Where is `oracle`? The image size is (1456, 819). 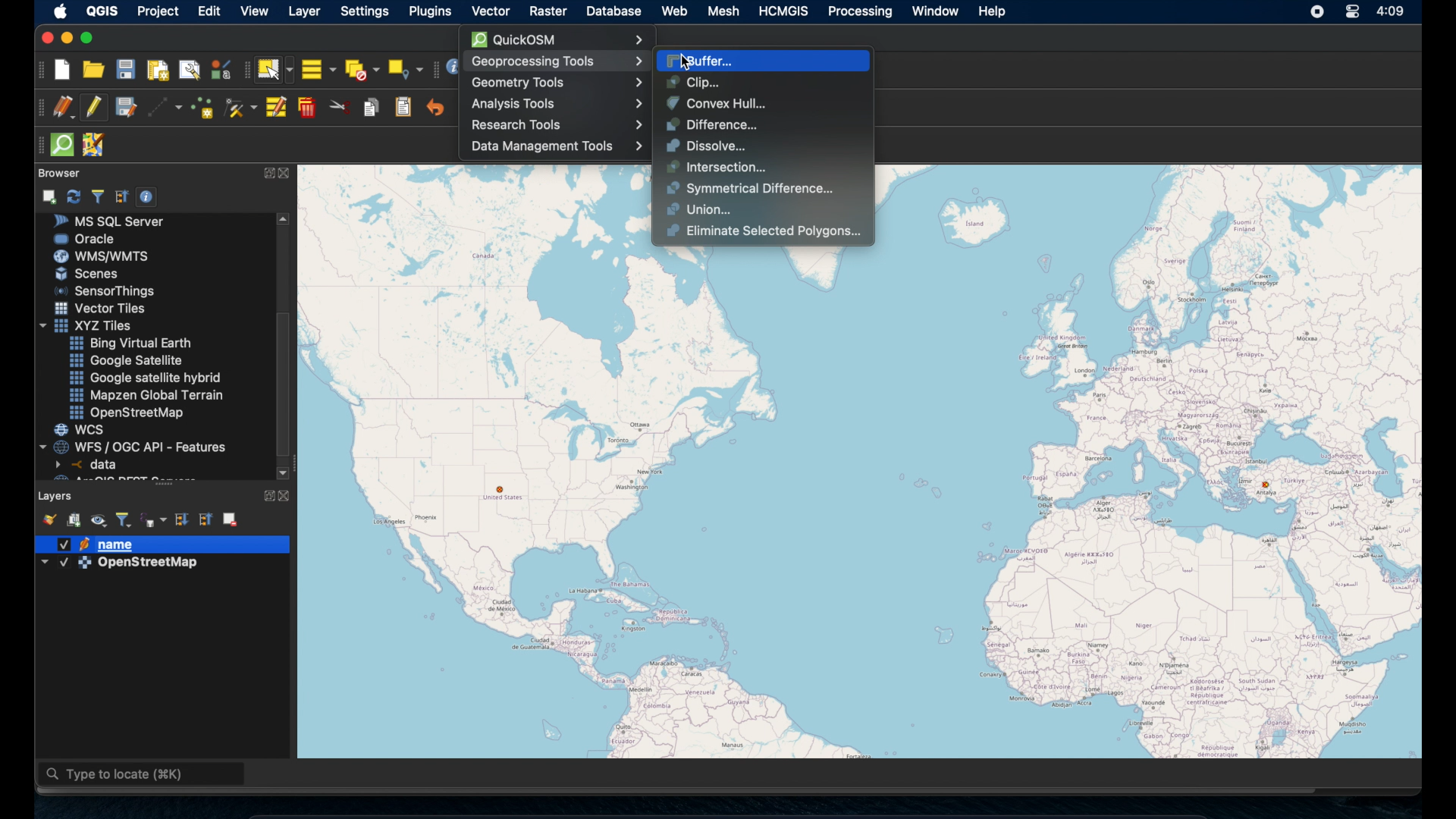 oracle is located at coordinates (86, 238).